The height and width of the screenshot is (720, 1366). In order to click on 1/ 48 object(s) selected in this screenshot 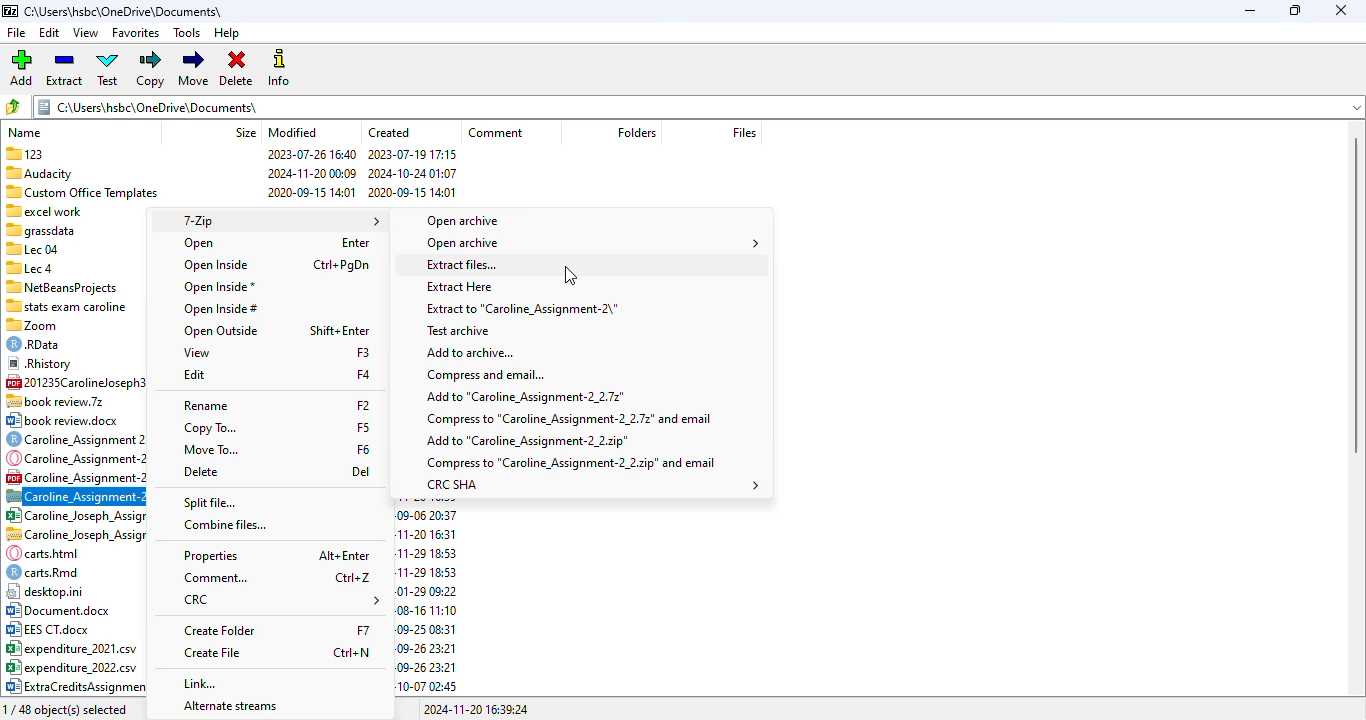, I will do `click(74, 708)`.